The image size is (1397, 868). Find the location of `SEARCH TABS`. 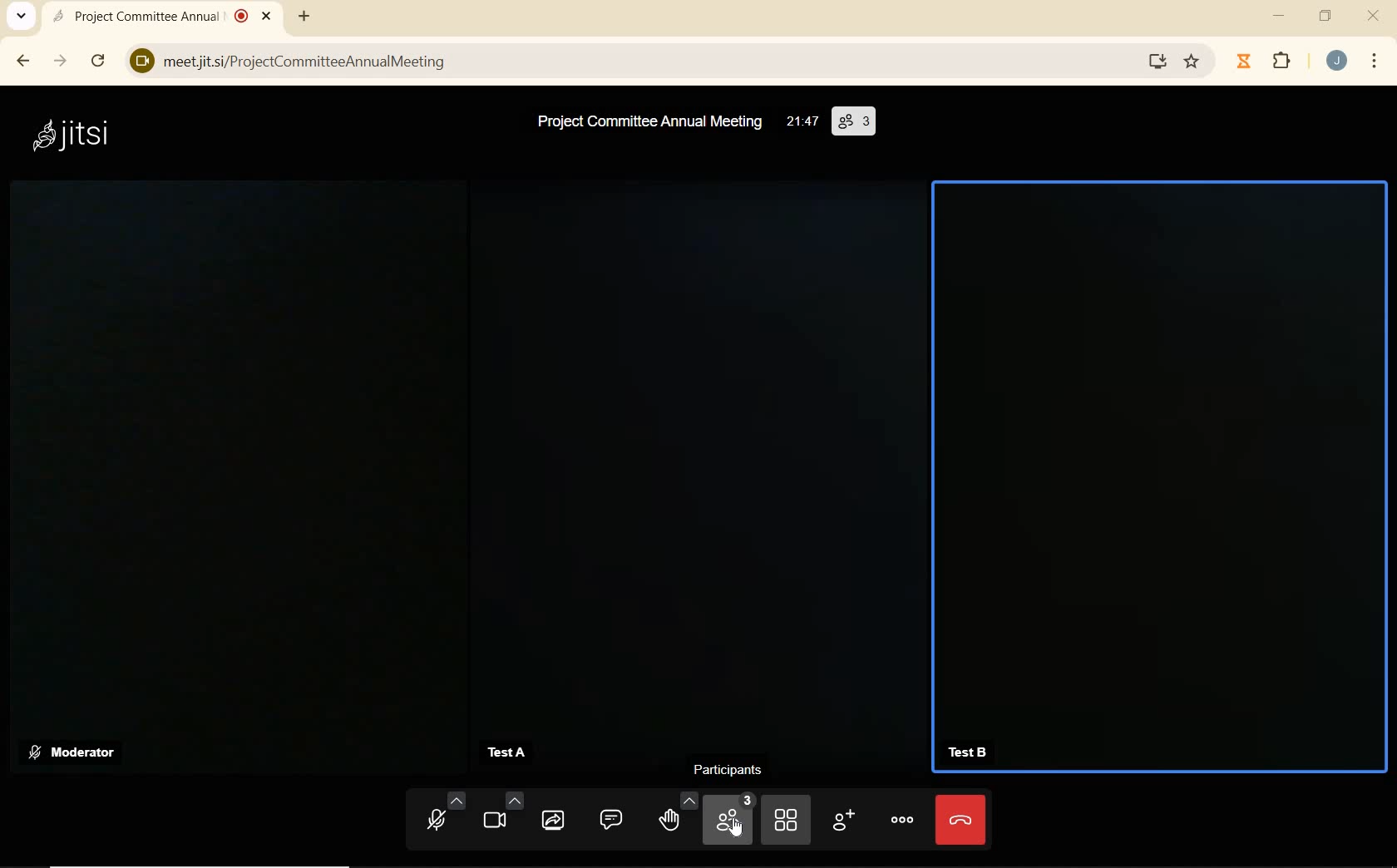

SEARCH TABS is located at coordinates (22, 19).